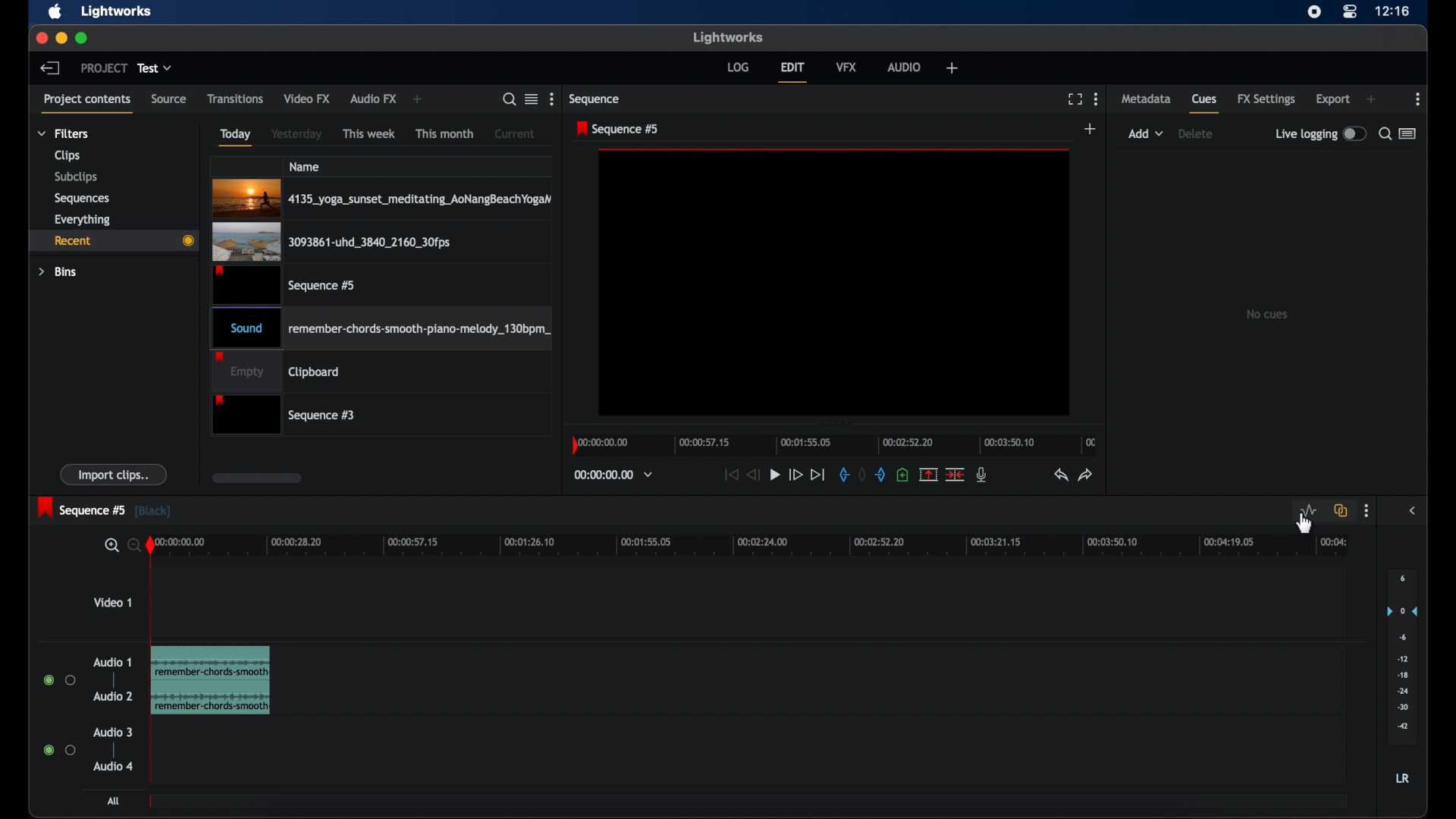 The width and height of the screenshot is (1456, 819). I want to click on add, so click(419, 99).